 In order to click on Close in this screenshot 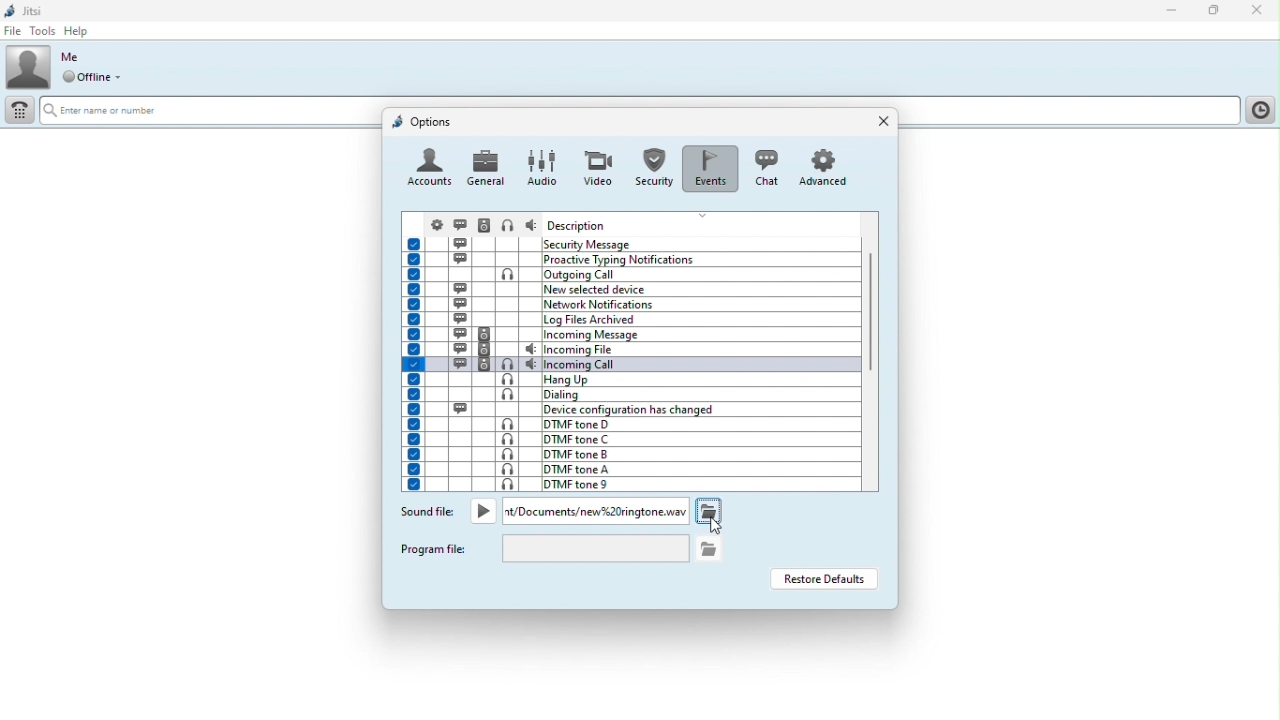, I will do `click(1257, 11)`.